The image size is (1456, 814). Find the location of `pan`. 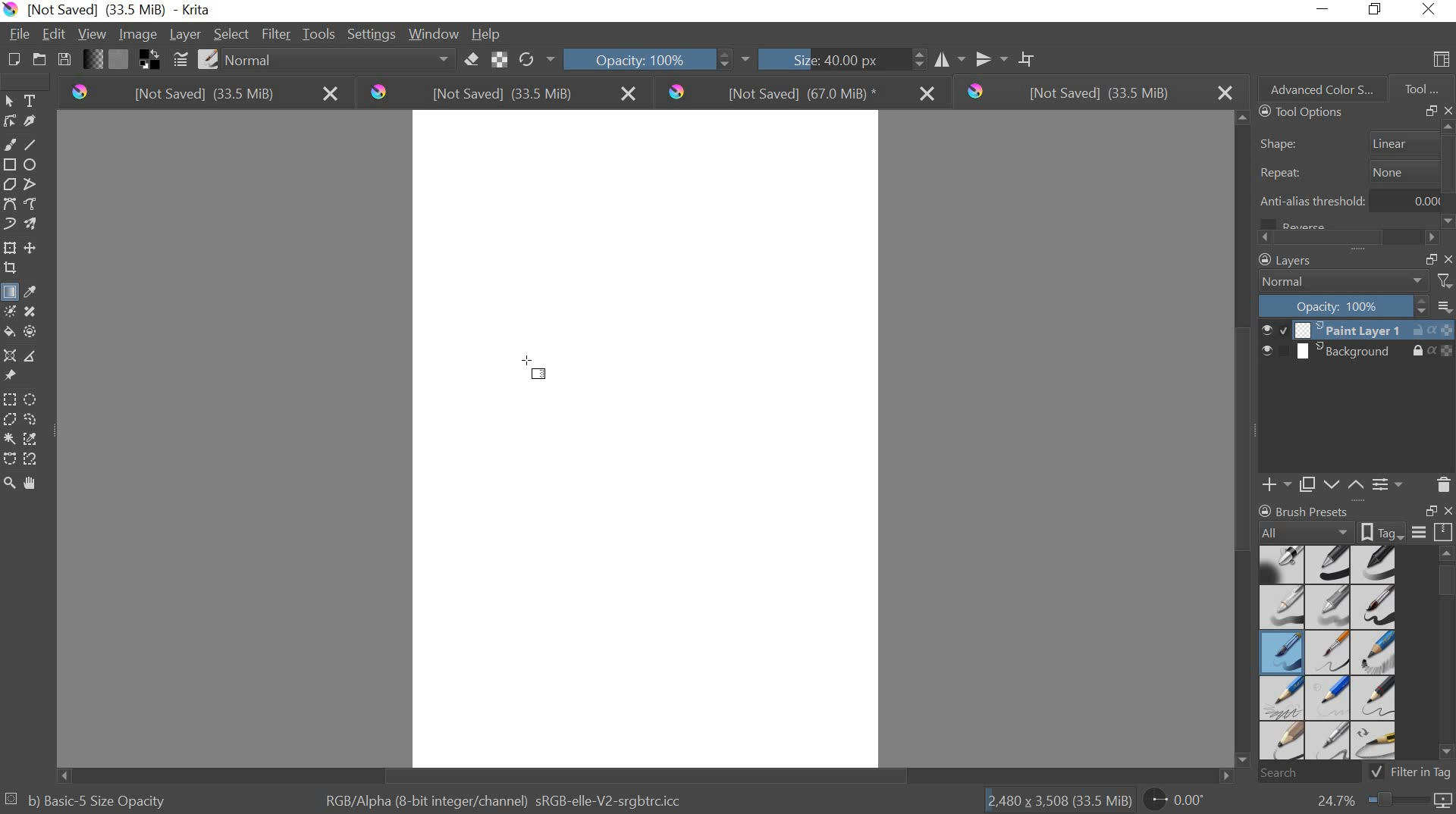

pan is located at coordinates (36, 481).